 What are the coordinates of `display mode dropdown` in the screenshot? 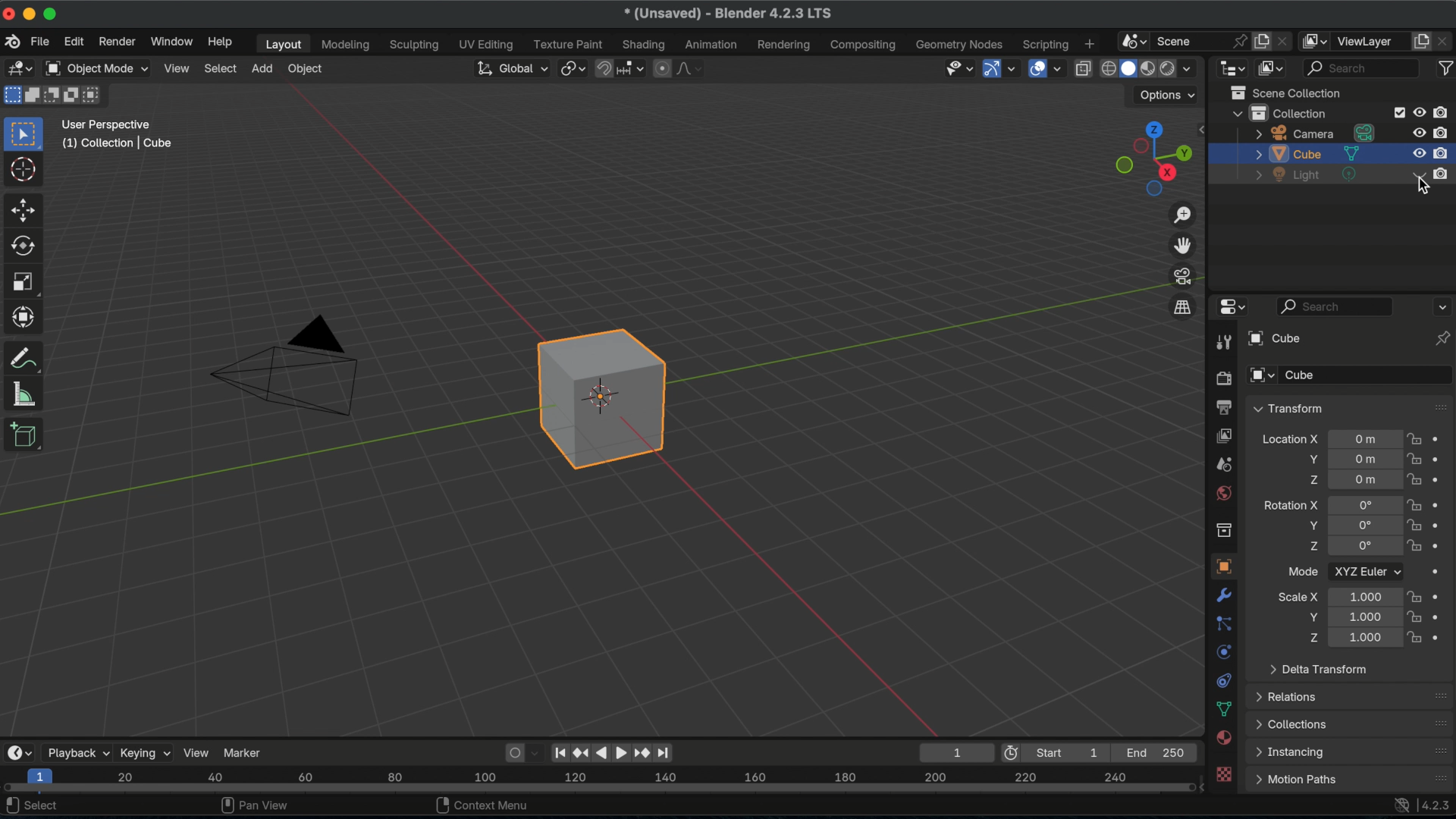 It's located at (1269, 68).